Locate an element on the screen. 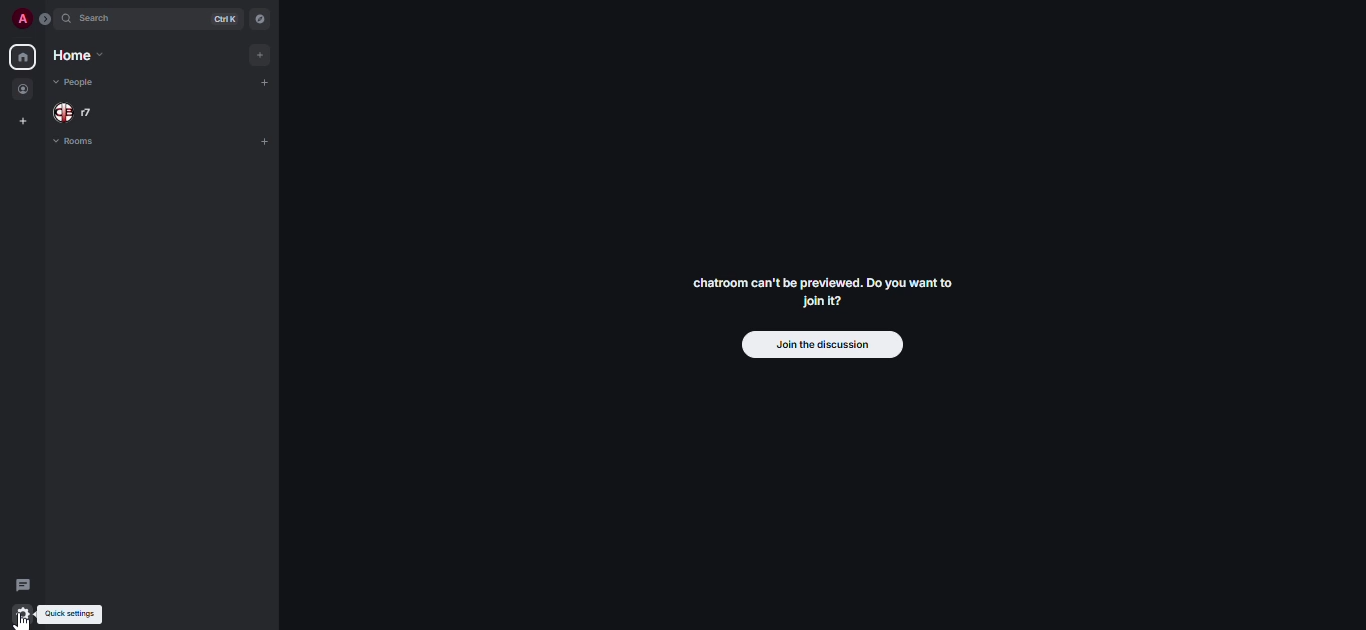 Image resolution: width=1366 pixels, height=630 pixels. add is located at coordinates (267, 140).